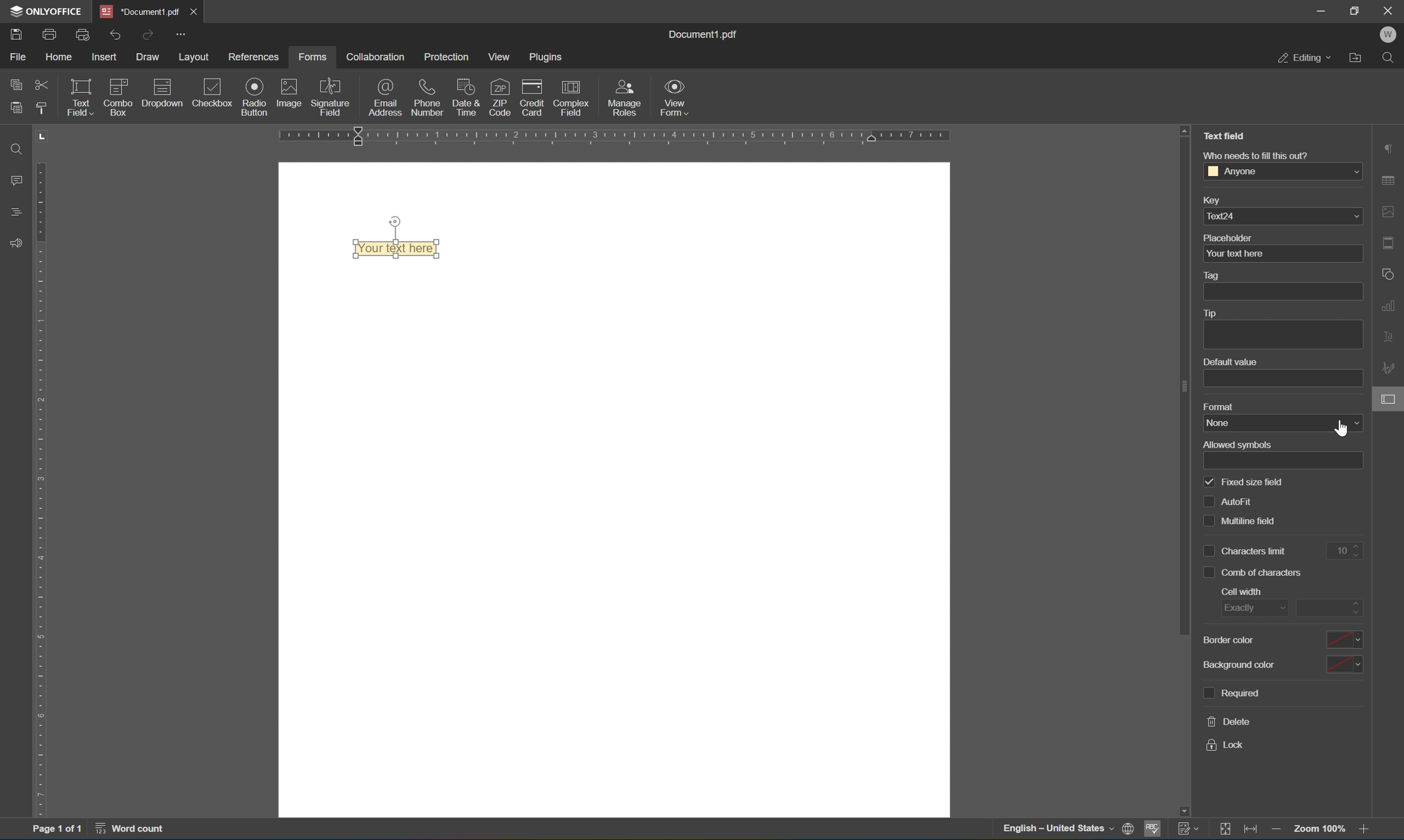  I want to click on view form, so click(675, 97).